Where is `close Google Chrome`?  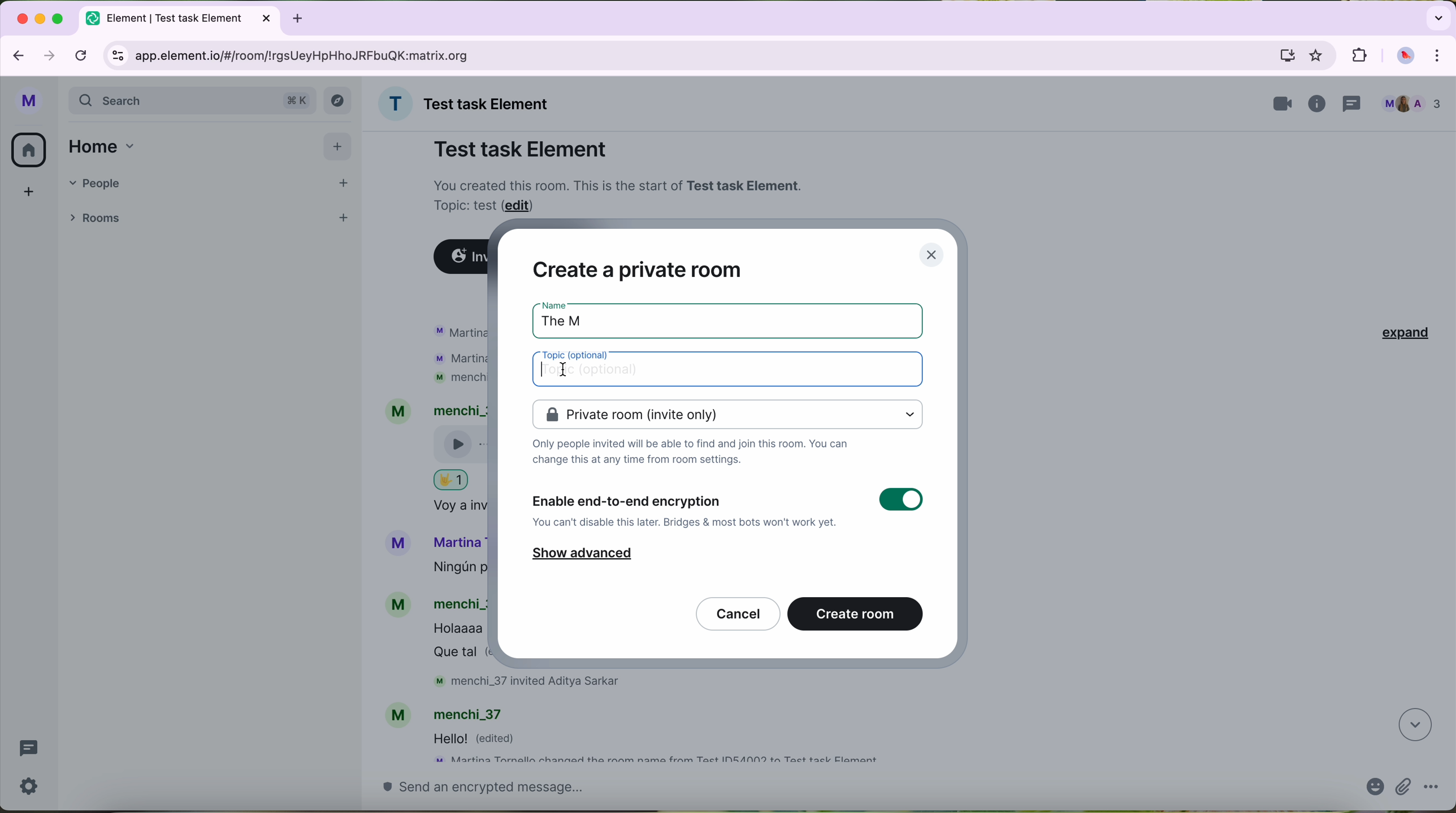 close Google Chrome is located at coordinates (21, 19).